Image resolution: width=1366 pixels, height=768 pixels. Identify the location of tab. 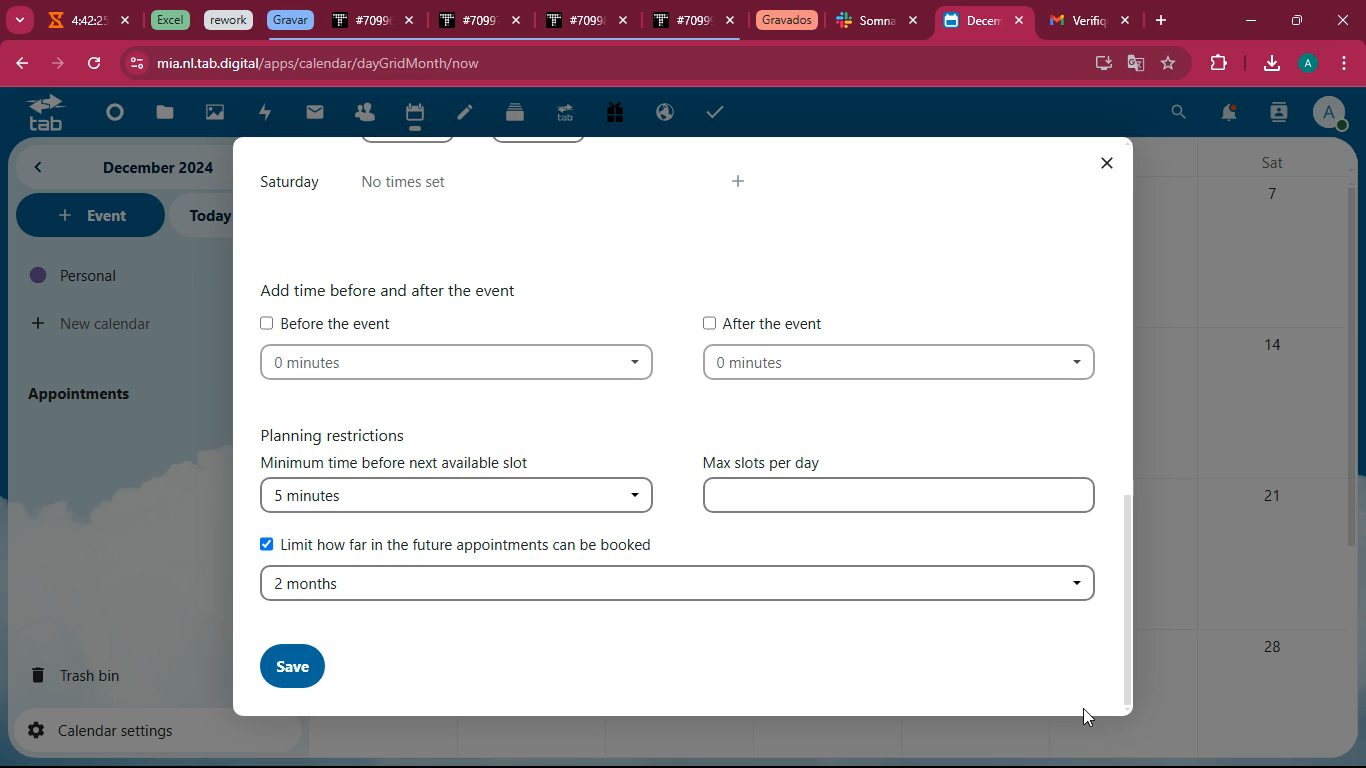
(681, 23).